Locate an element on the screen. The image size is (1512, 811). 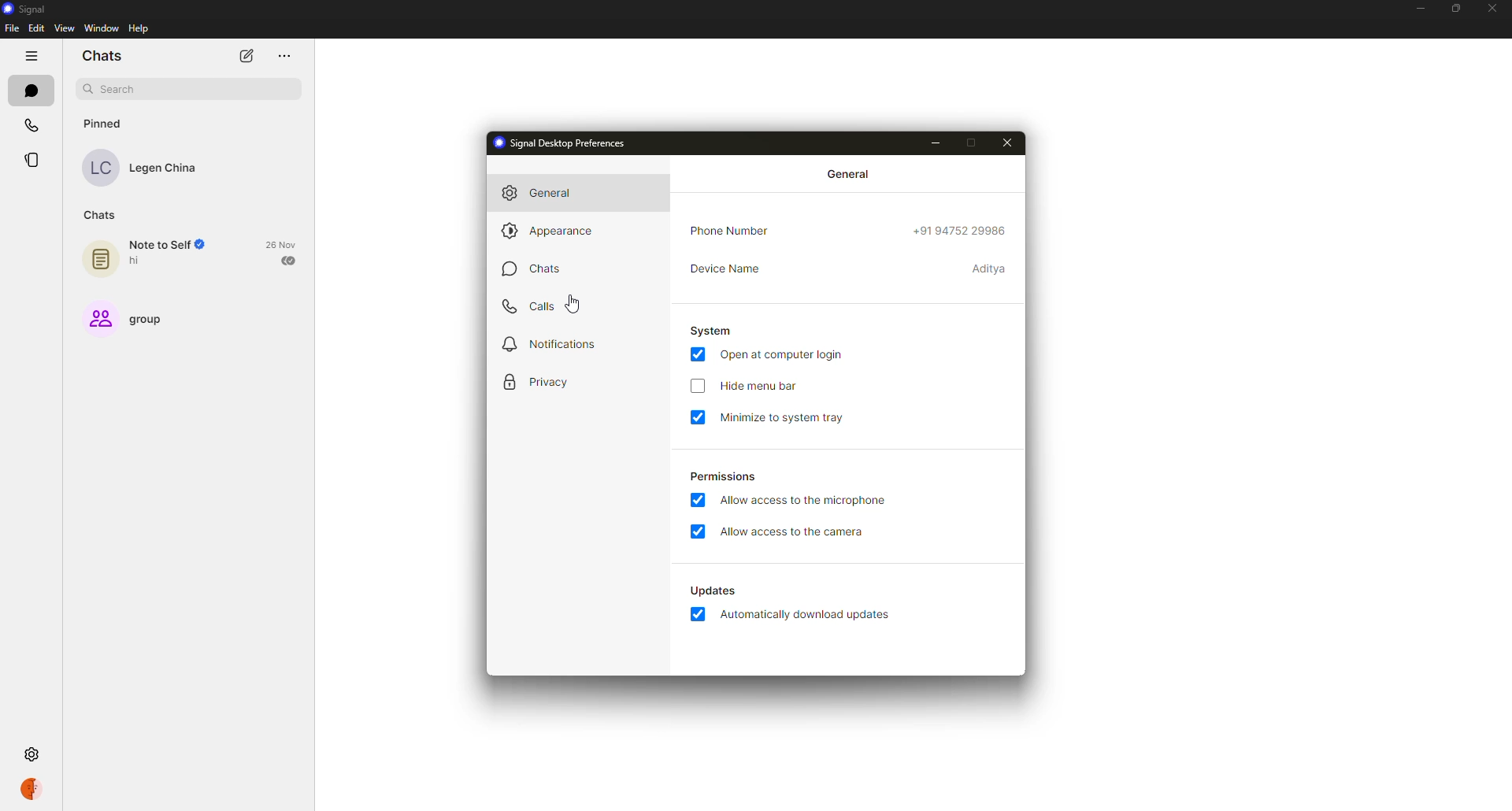
profile is located at coordinates (30, 790).